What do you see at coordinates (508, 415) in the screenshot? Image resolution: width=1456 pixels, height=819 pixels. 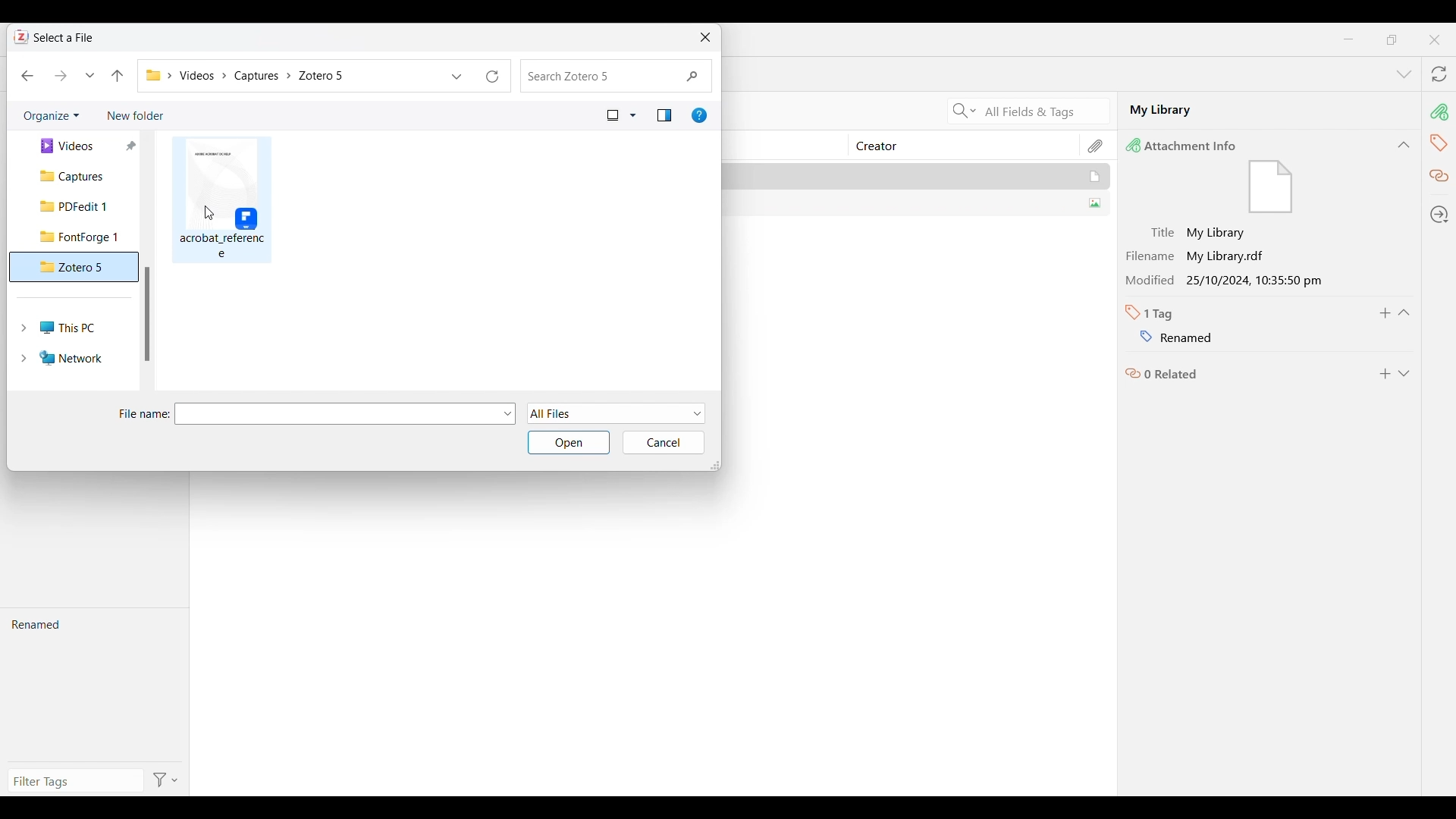 I see `File options` at bounding box center [508, 415].